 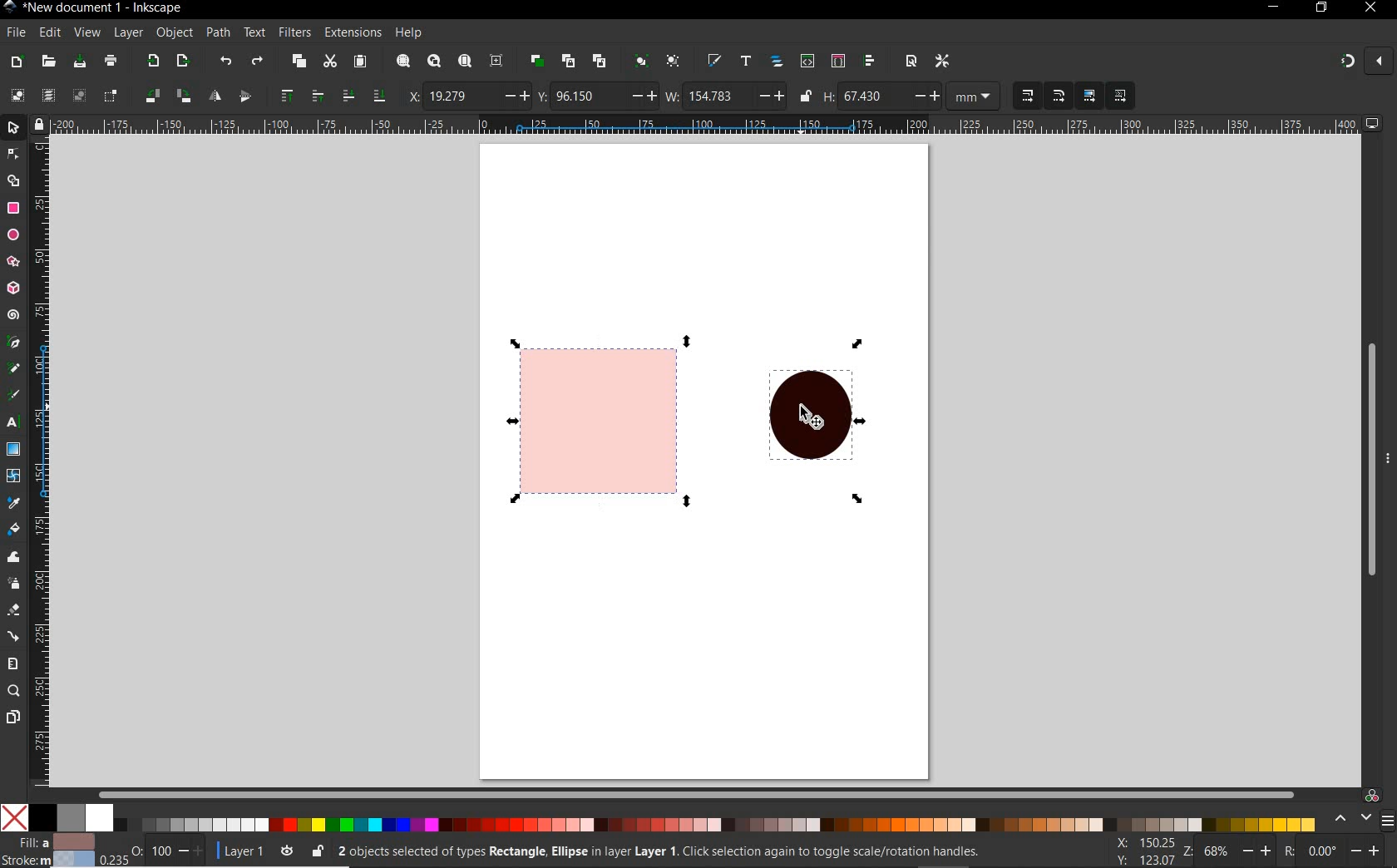 What do you see at coordinates (726, 97) in the screenshot?
I see `width selection` at bounding box center [726, 97].